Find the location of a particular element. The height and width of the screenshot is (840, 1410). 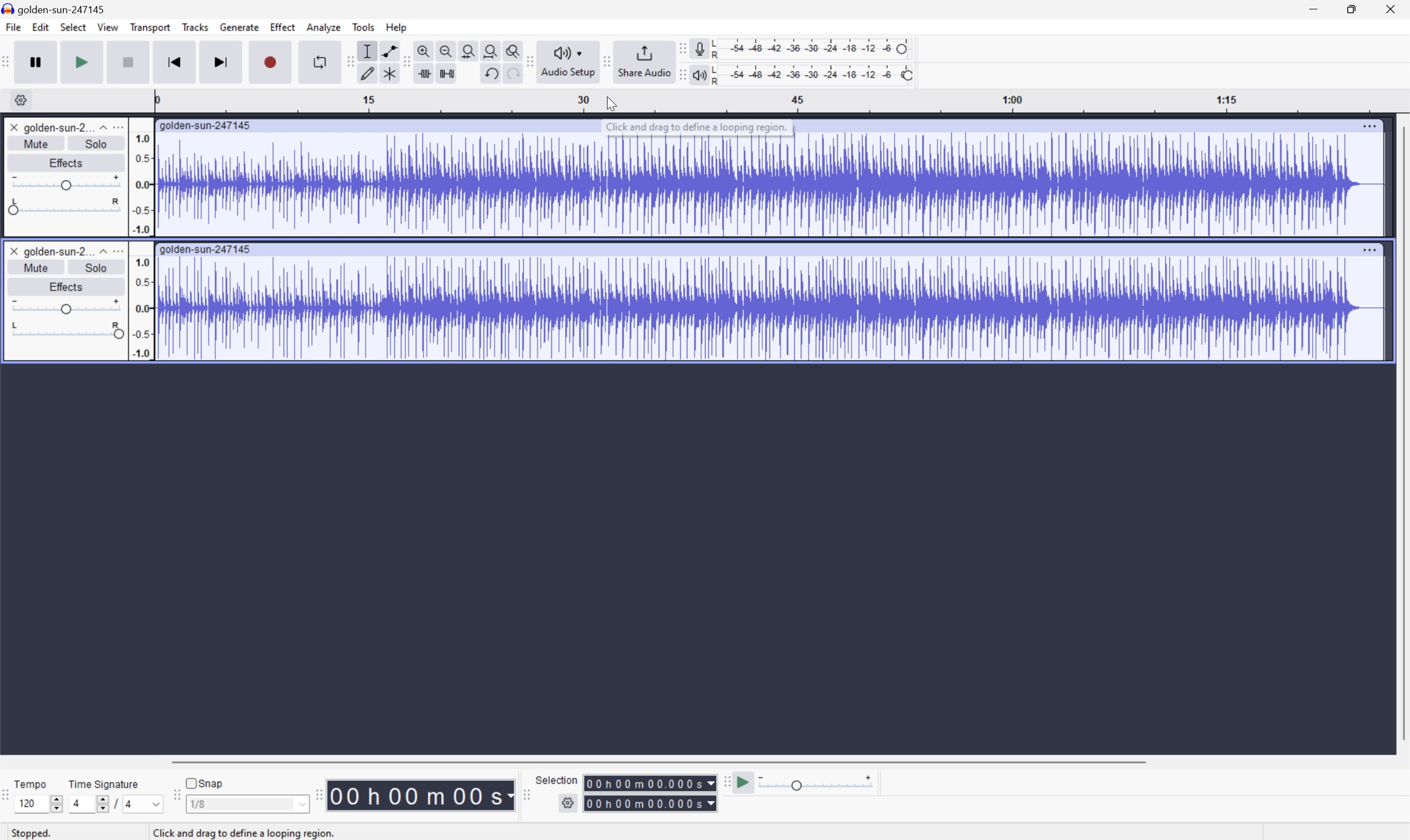

Zoom out is located at coordinates (447, 50).